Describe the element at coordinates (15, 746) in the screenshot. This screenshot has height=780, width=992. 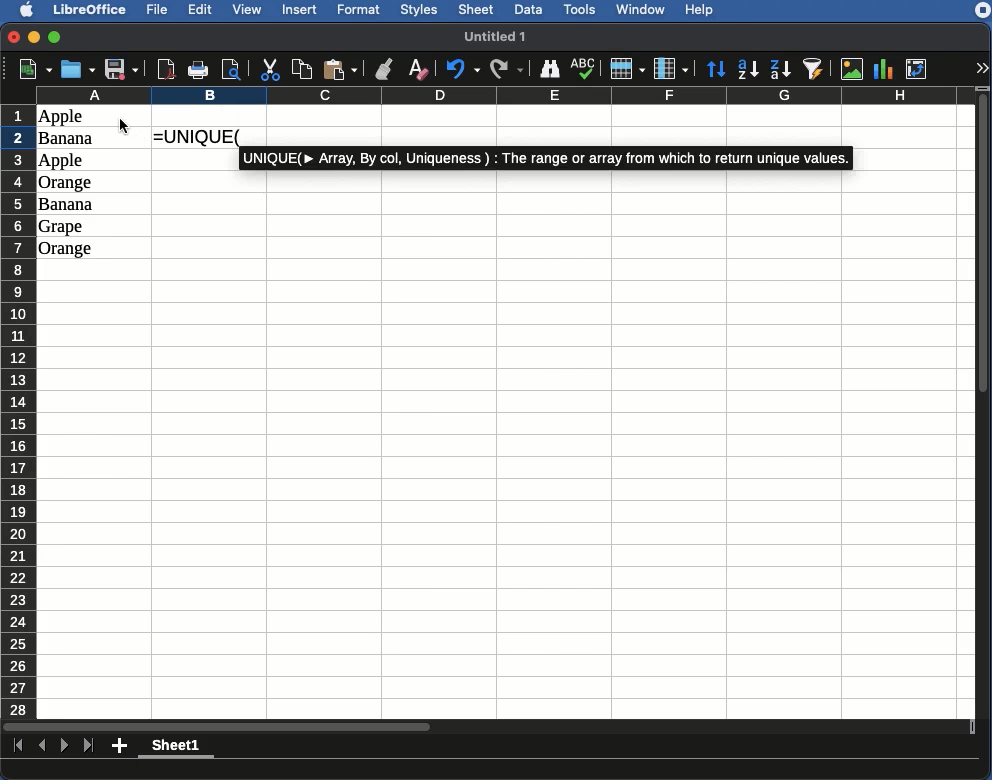
I see `First sheet` at that location.